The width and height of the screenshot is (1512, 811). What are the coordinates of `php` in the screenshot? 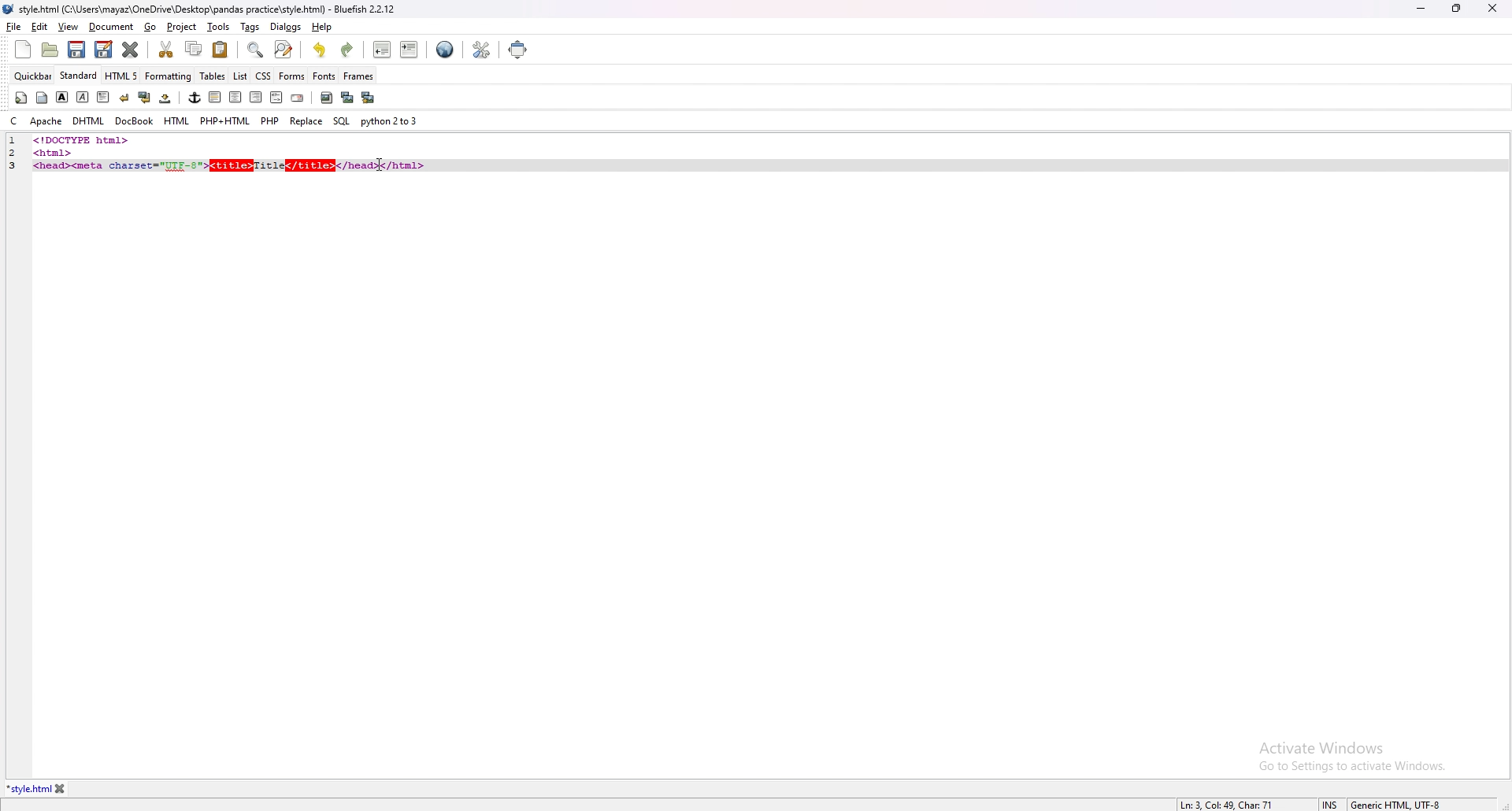 It's located at (270, 120).